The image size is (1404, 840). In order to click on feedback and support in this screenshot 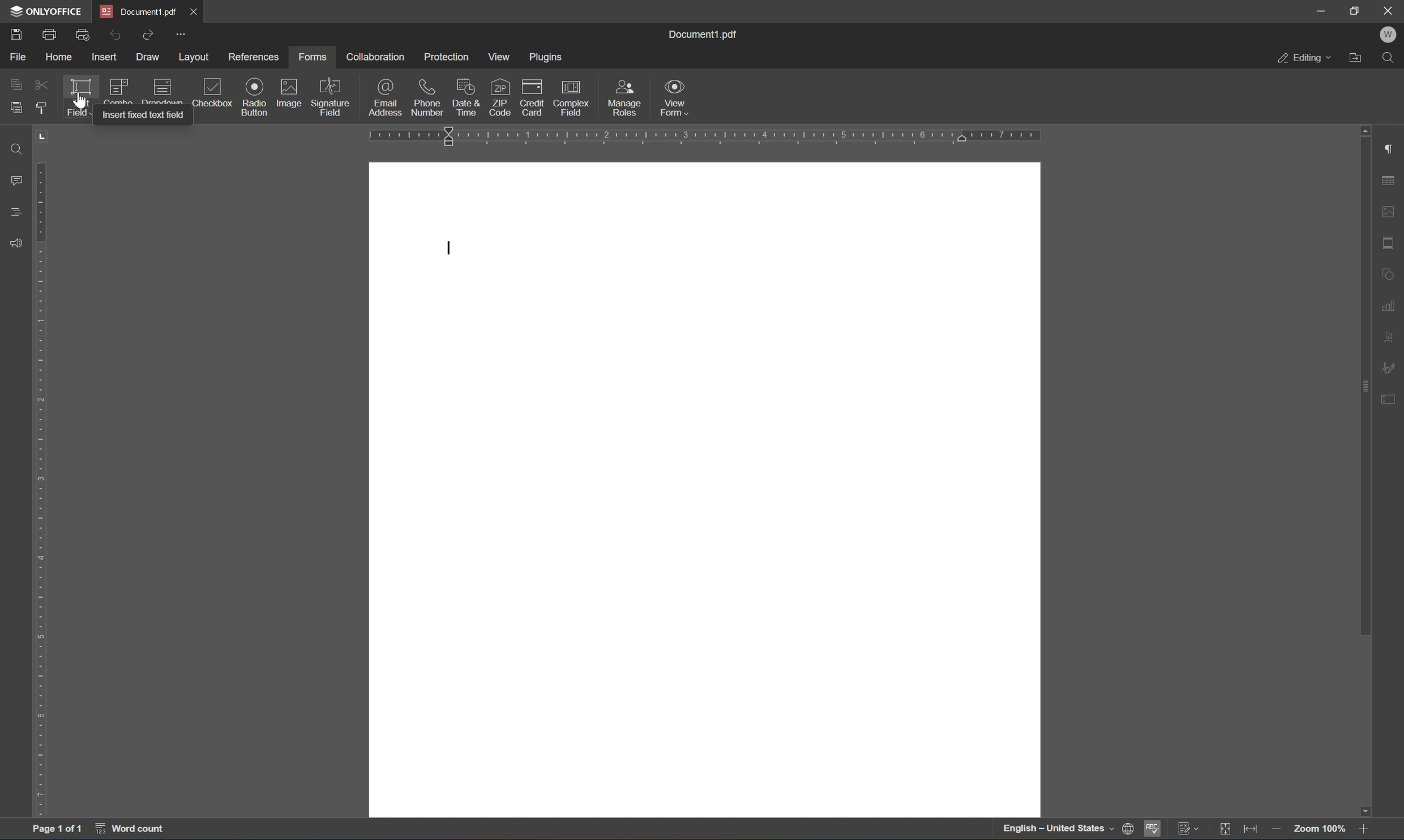, I will do `click(17, 245)`.